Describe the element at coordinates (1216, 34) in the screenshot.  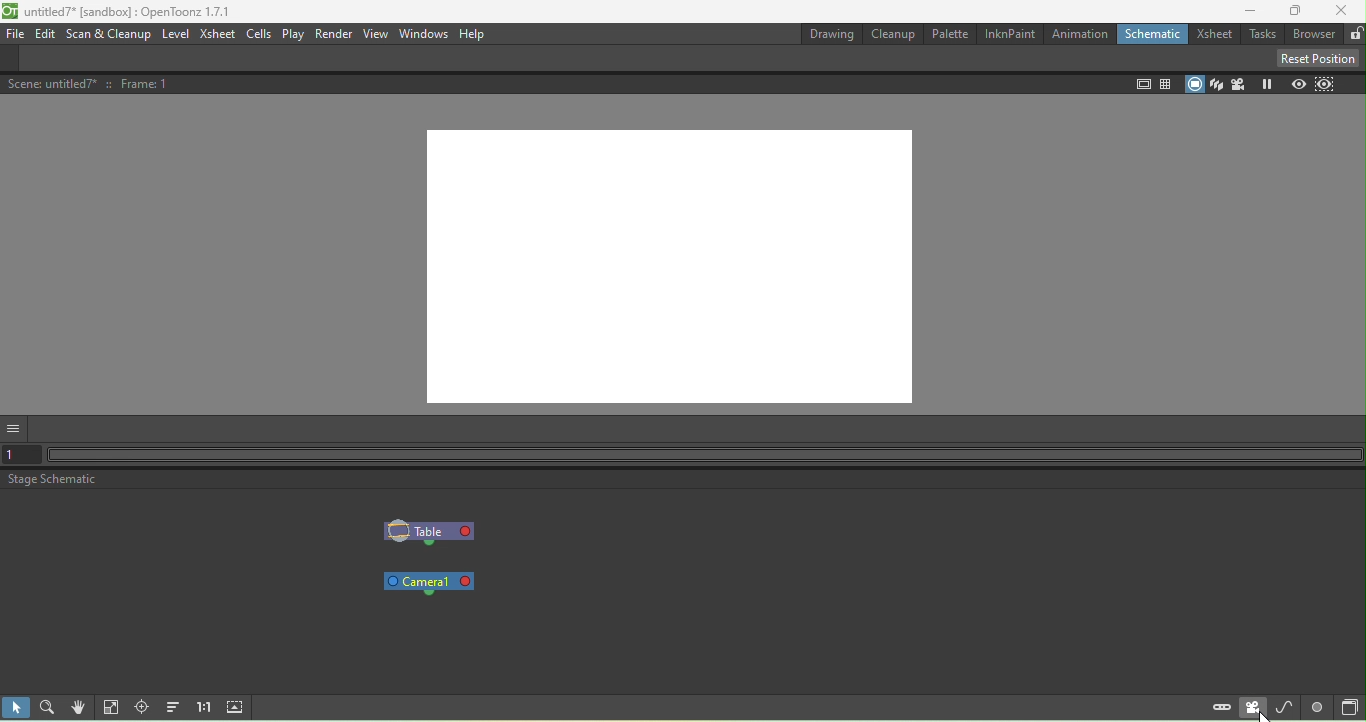
I see `Xsheet` at that location.